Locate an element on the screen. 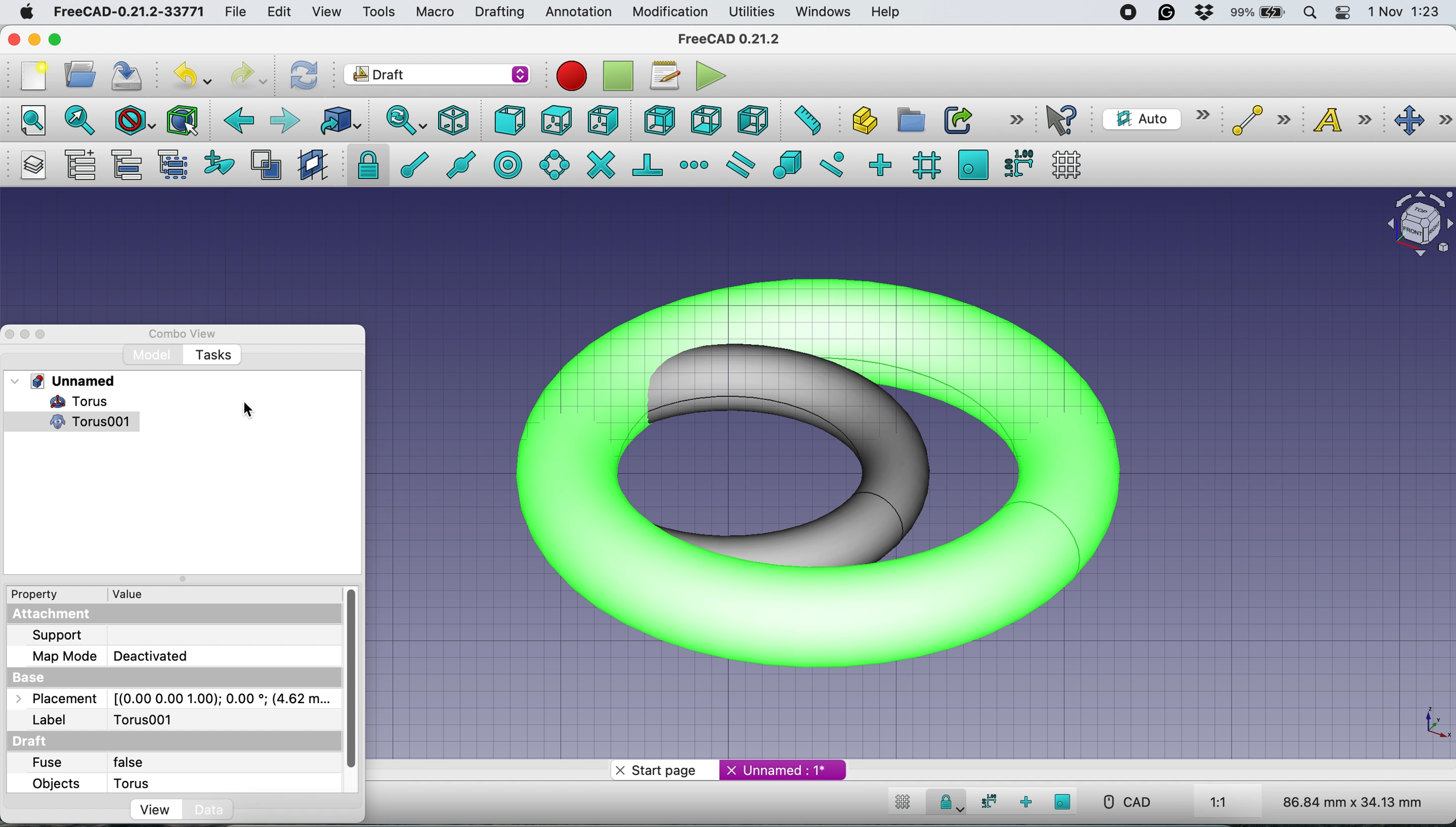 The height and width of the screenshot is (827, 1456). current working plane is located at coordinates (1155, 118).